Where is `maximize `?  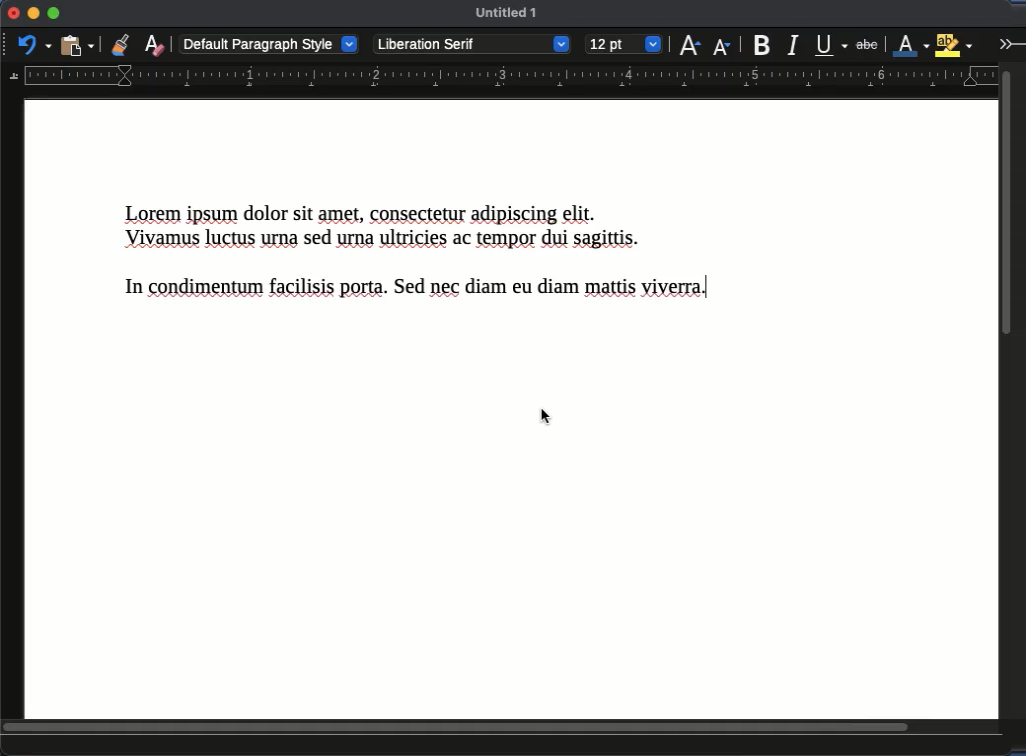 maximize  is located at coordinates (53, 14).